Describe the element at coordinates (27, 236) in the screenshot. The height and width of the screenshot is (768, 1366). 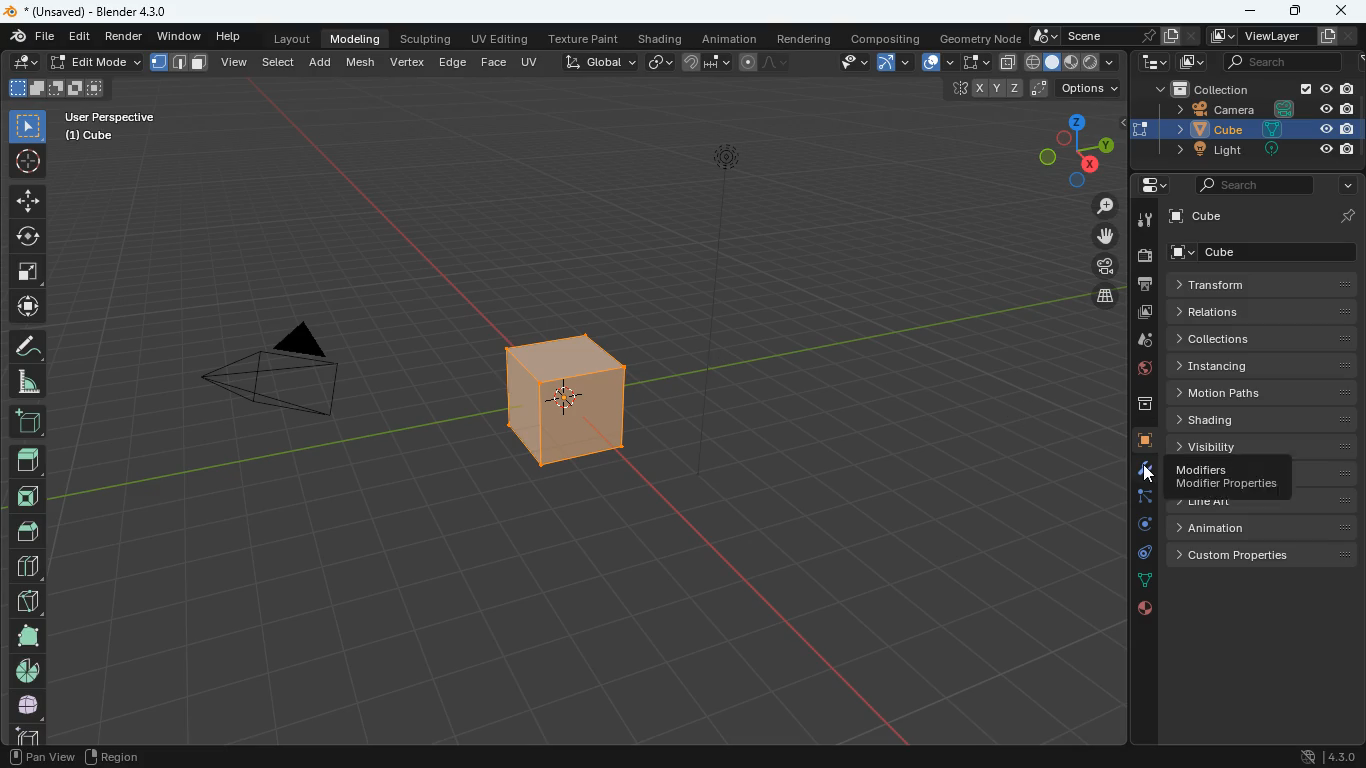
I see `rotate` at that location.